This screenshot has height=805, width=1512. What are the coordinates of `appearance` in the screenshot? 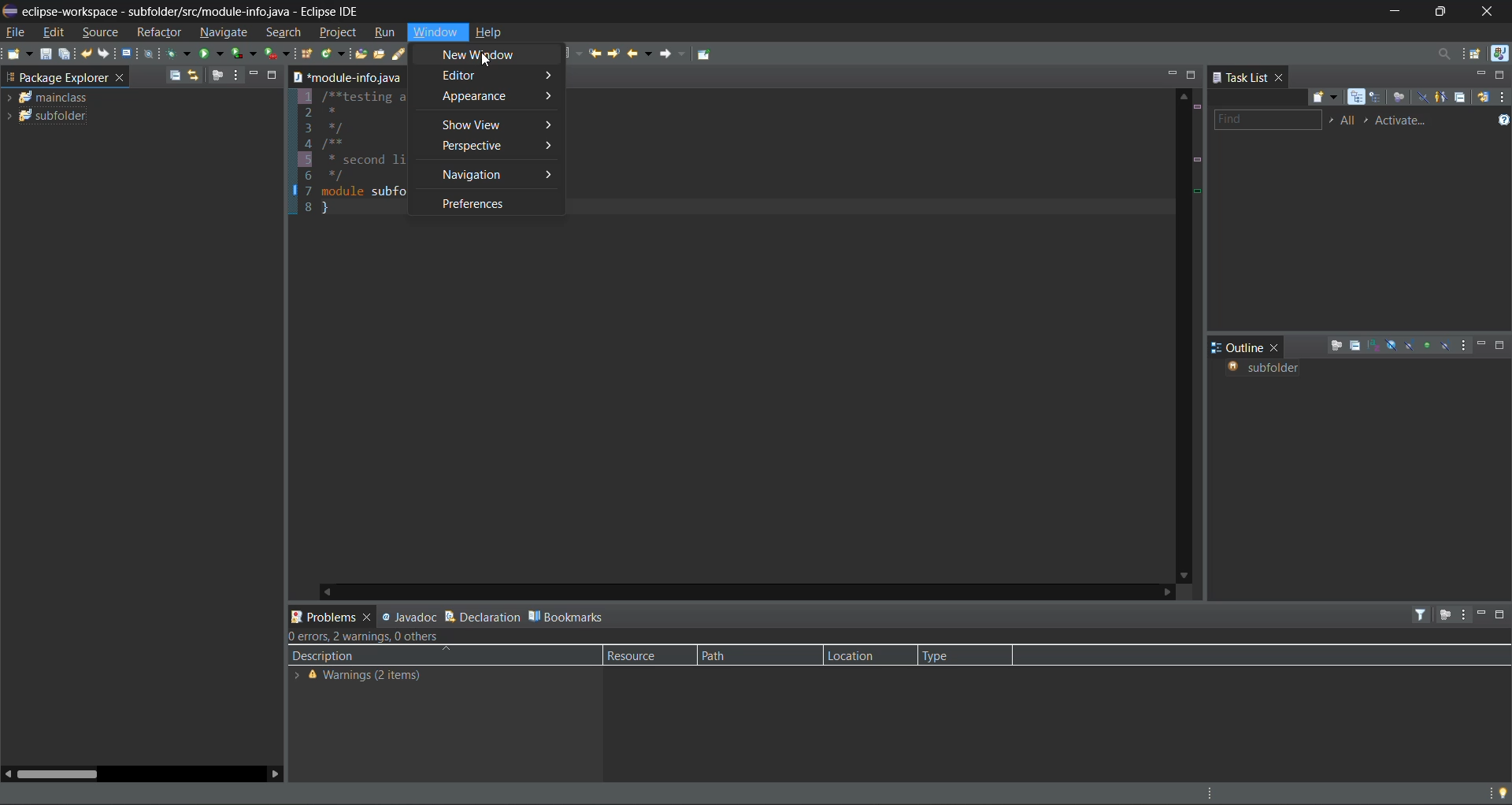 It's located at (499, 98).